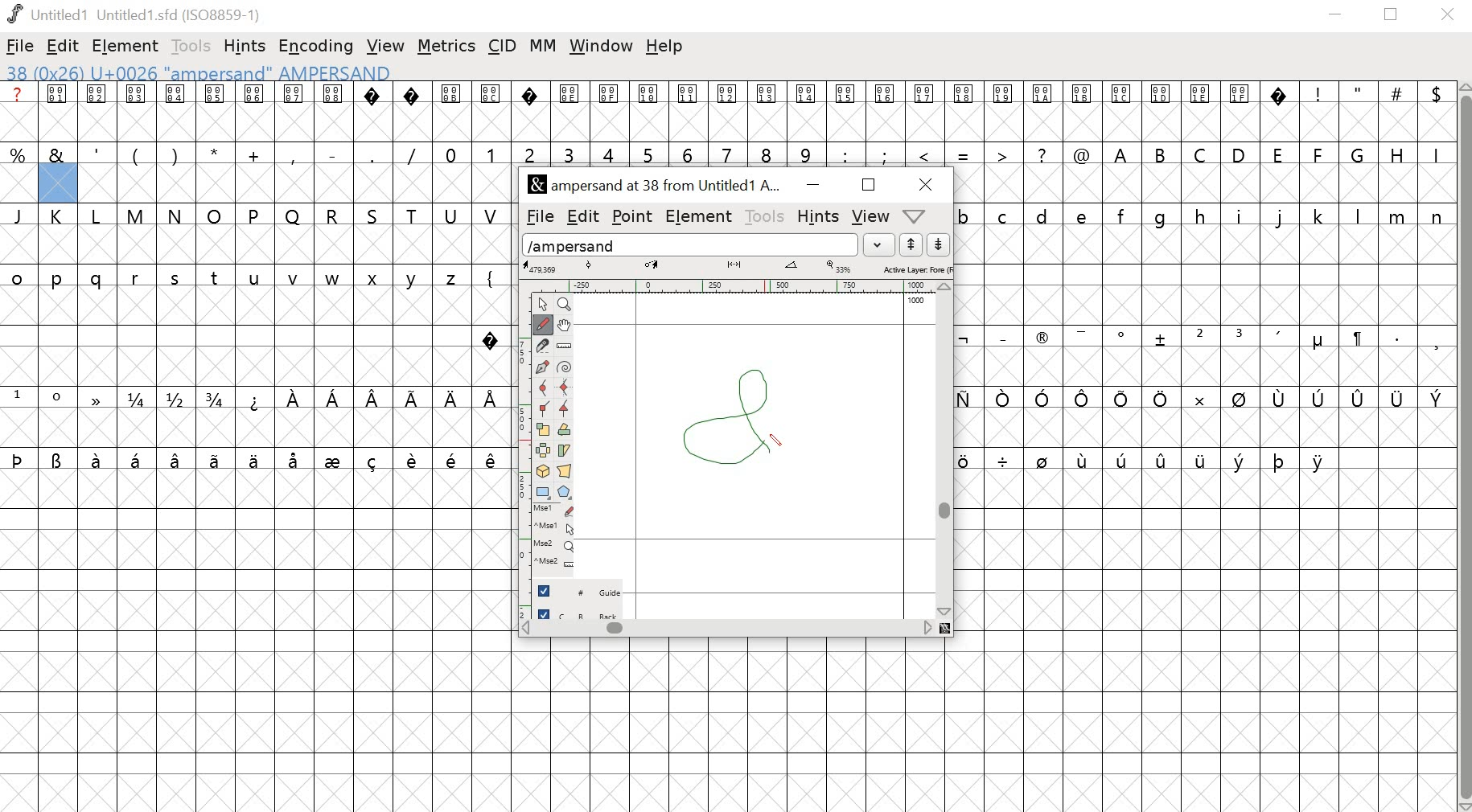  What do you see at coordinates (256, 399) in the screenshot?
I see `symbol` at bounding box center [256, 399].